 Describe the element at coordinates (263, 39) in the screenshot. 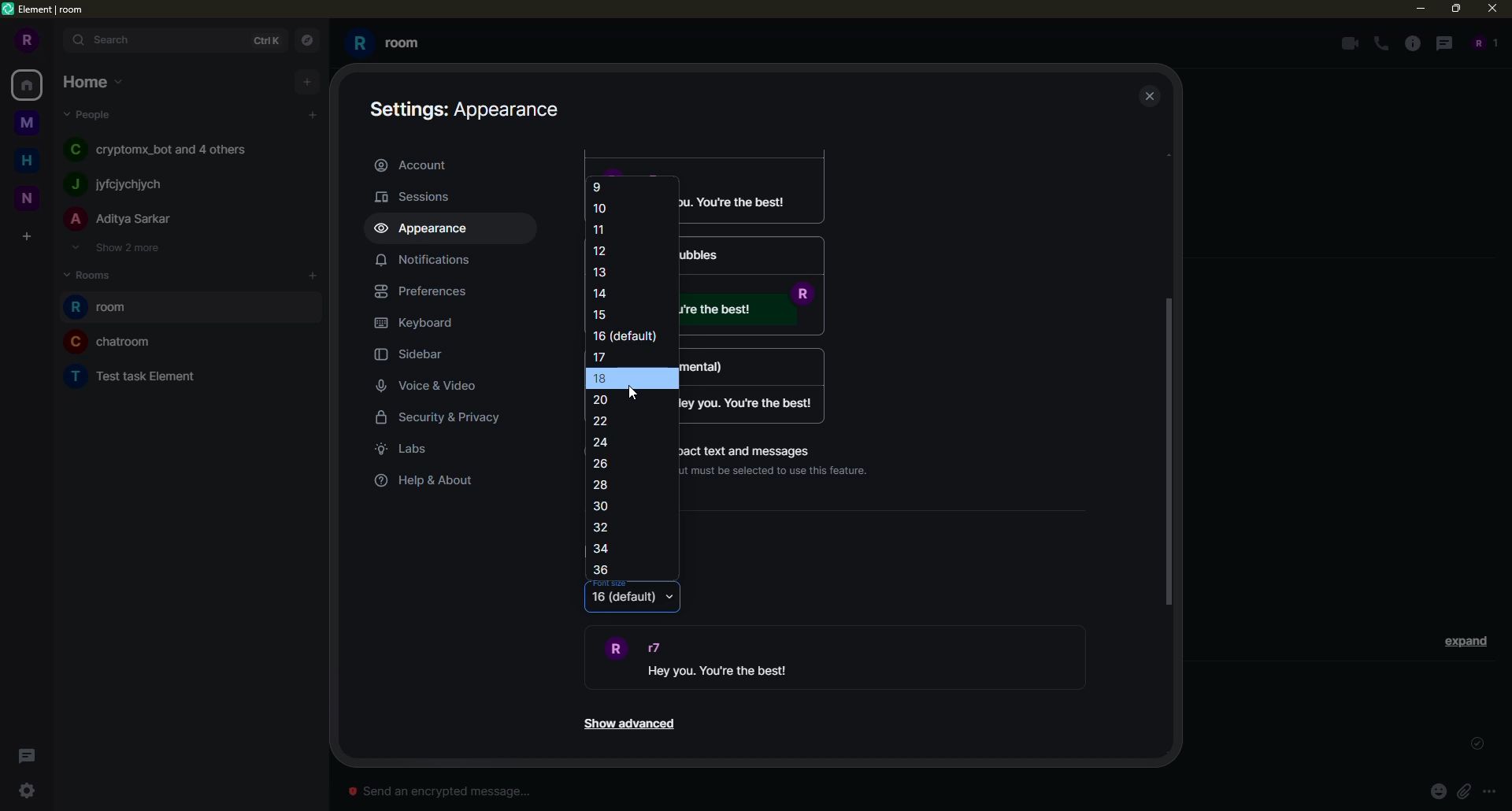

I see `ctrlK` at that location.